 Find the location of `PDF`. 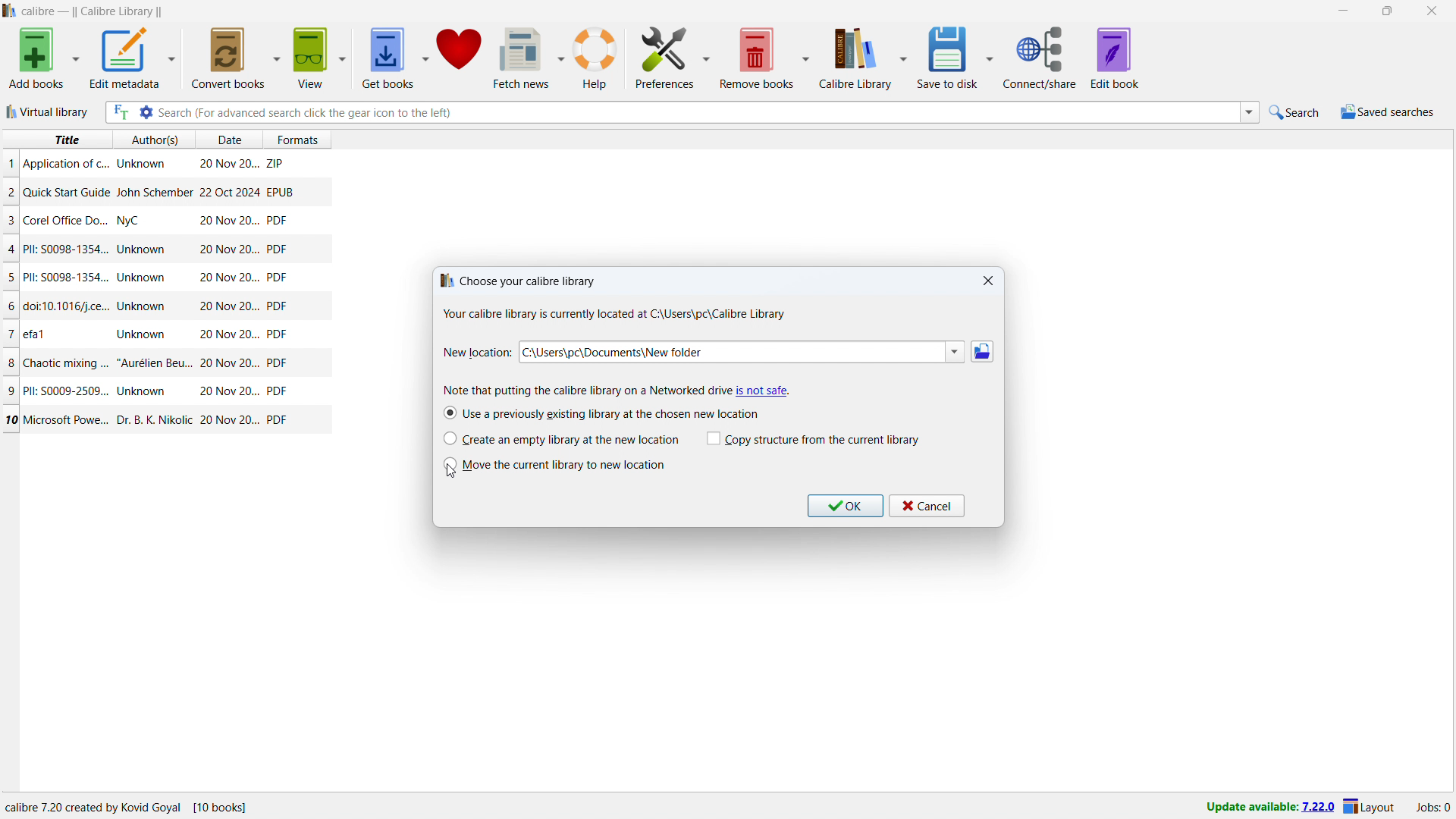

PDF is located at coordinates (277, 220).